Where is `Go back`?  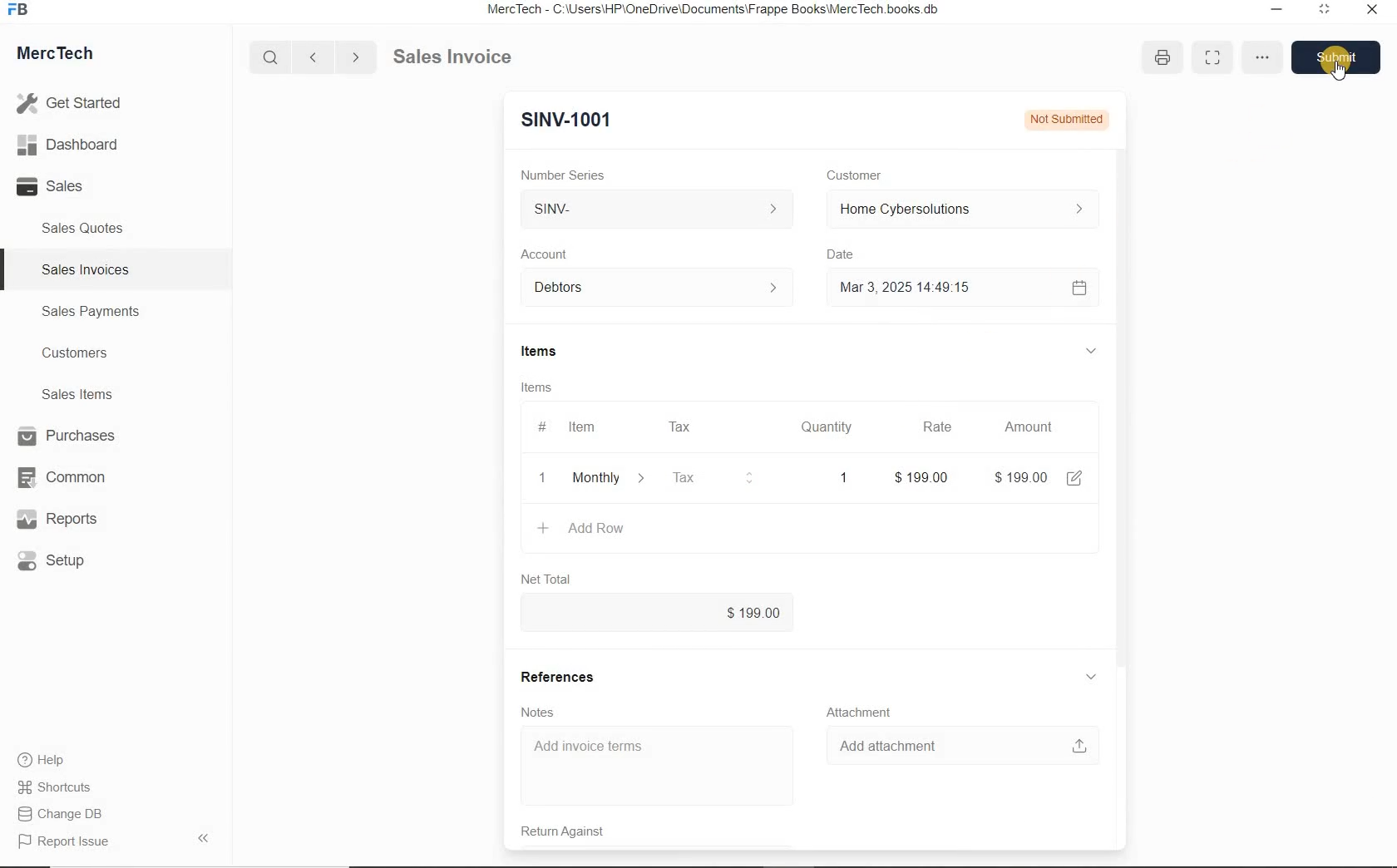
Go back is located at coordinates (315, 57).